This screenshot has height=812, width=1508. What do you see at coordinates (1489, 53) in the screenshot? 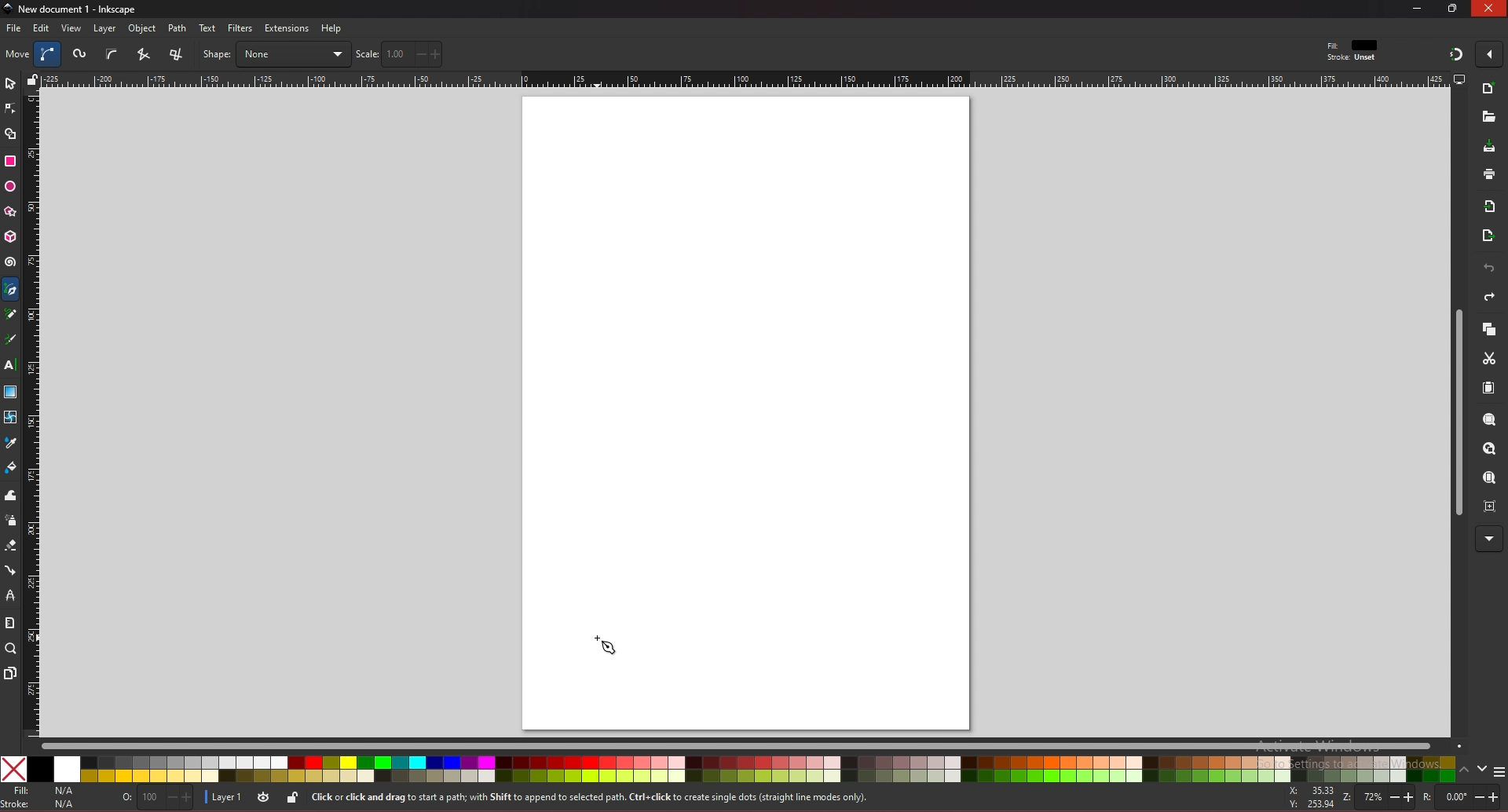
I see `enable snapping` at bounding box center [1489, 53].